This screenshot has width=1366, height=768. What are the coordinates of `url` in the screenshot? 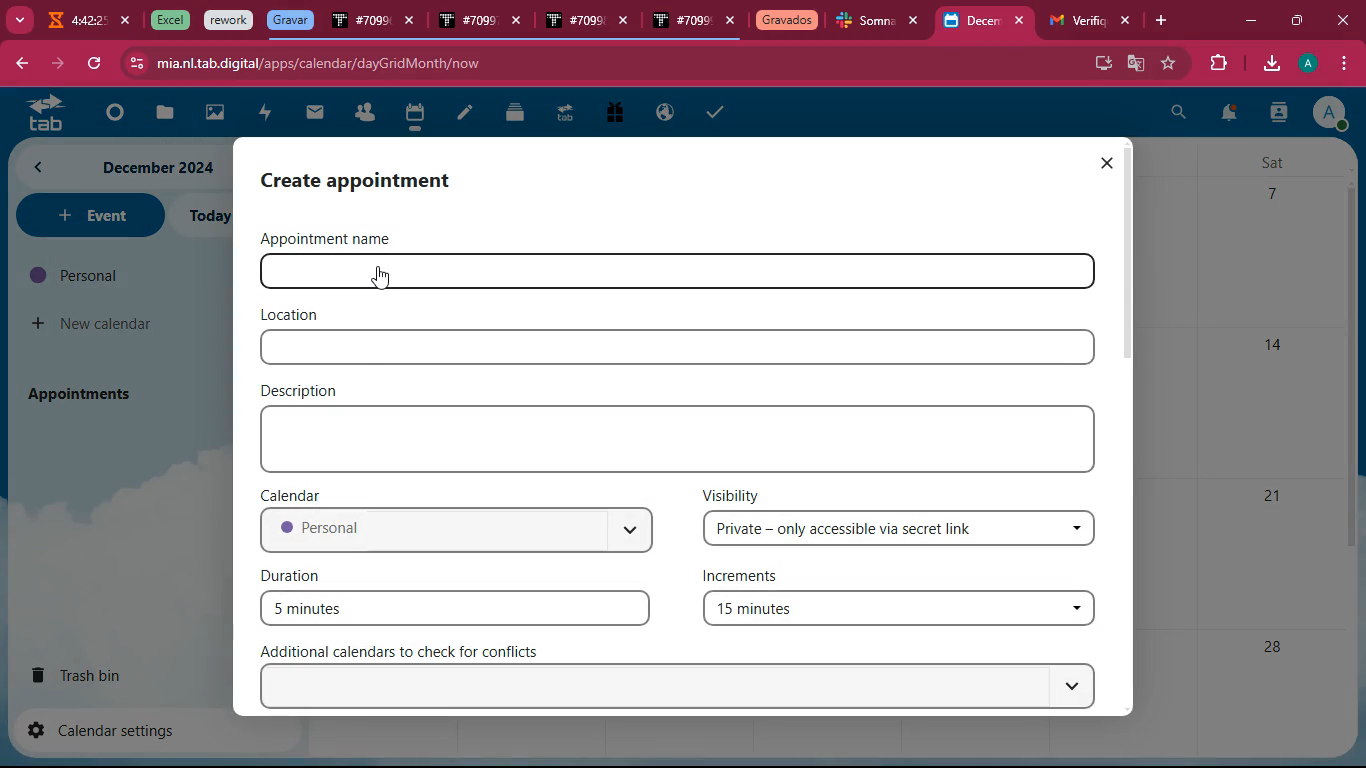 It's located at (318, 63).